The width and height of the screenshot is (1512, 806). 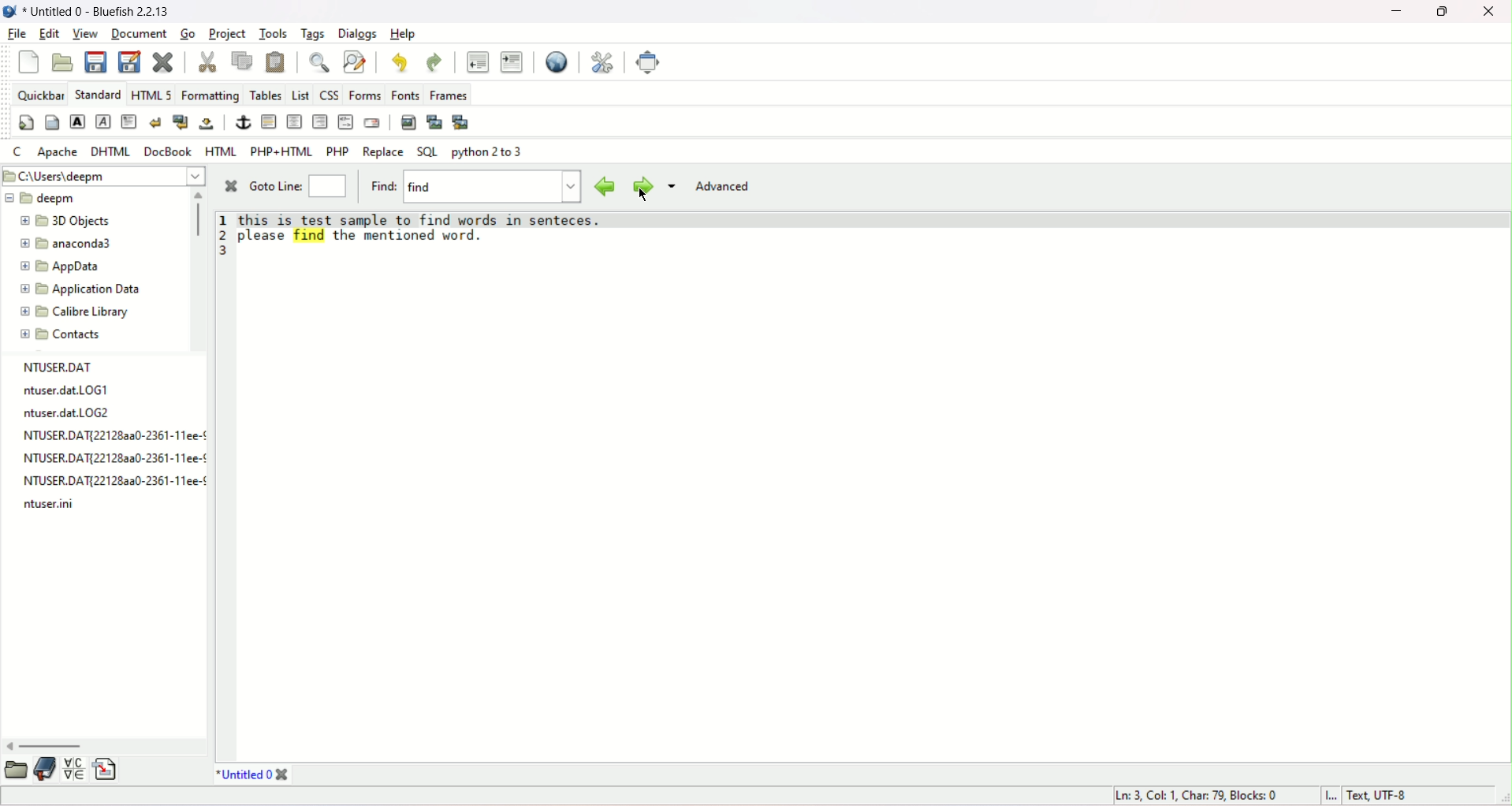 What do you see at coordinates (642, 196) in the screenshot?
I see `cursor` at bounding box center [642, 196].